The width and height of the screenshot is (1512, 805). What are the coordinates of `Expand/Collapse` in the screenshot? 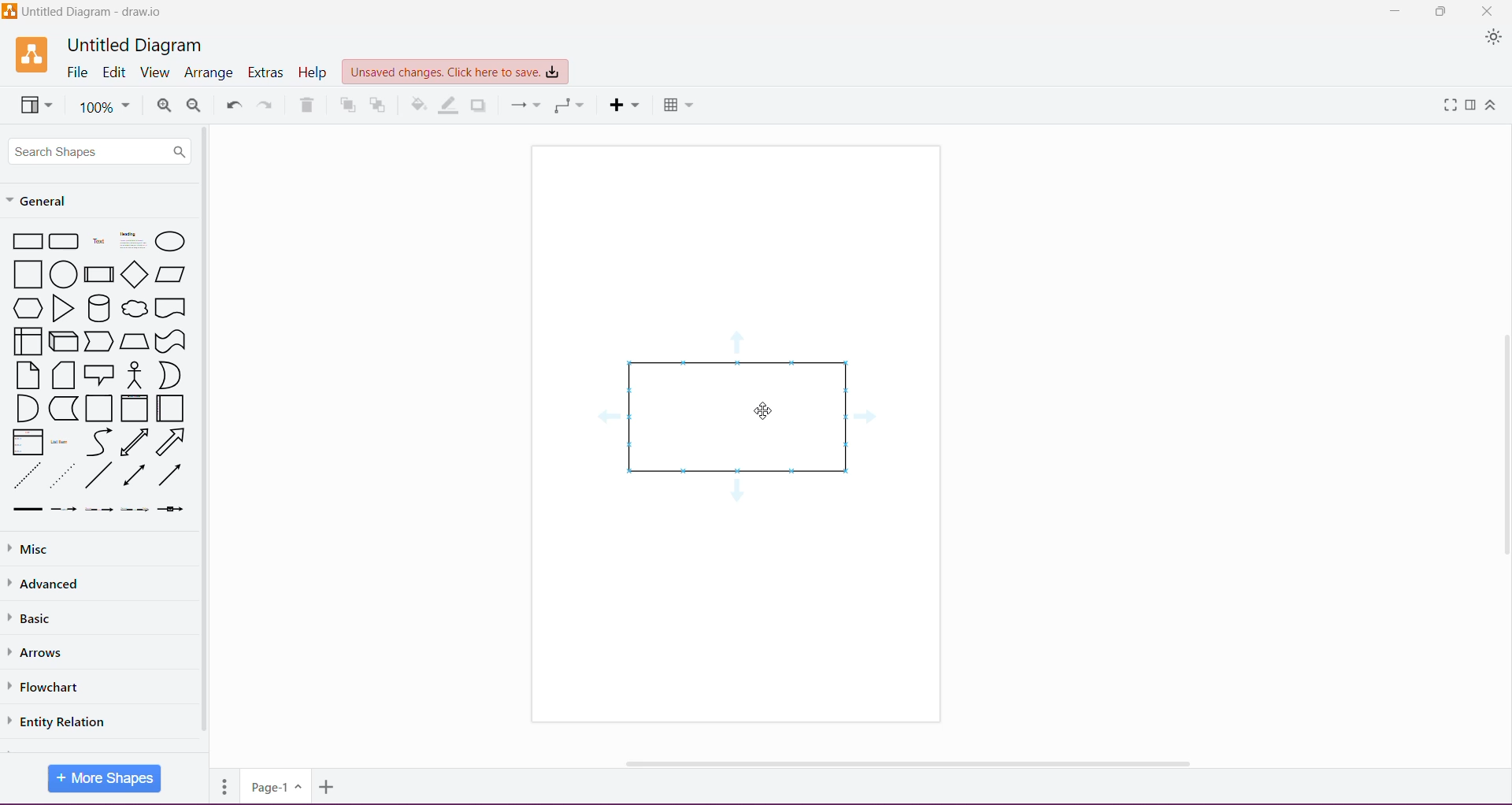 It's located at (1491, 106).